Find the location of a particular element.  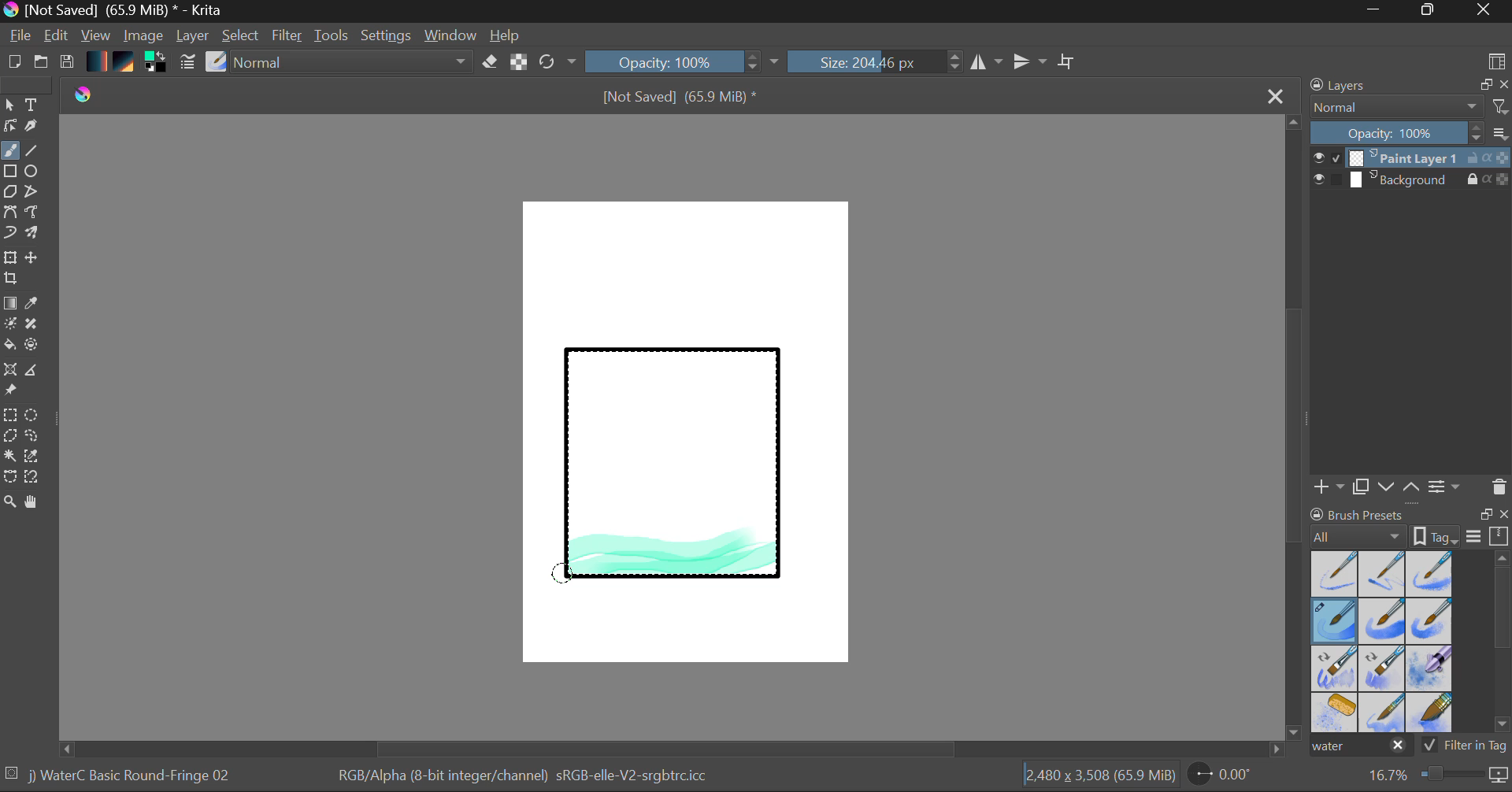

Brush Selected is located at coordinates (1336, 622).